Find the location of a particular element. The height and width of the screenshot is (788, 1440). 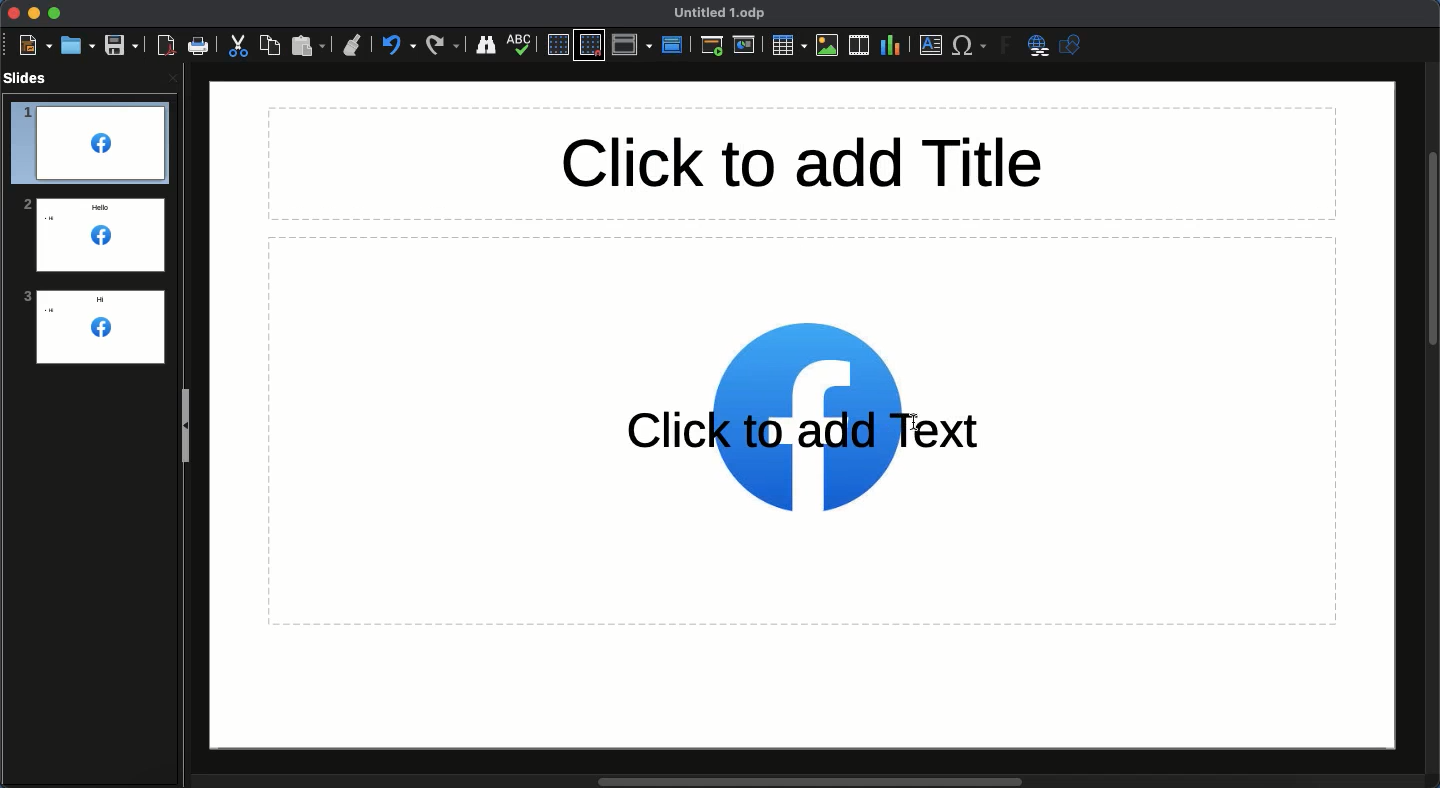

Display grid is located at coordinates (558, 45).